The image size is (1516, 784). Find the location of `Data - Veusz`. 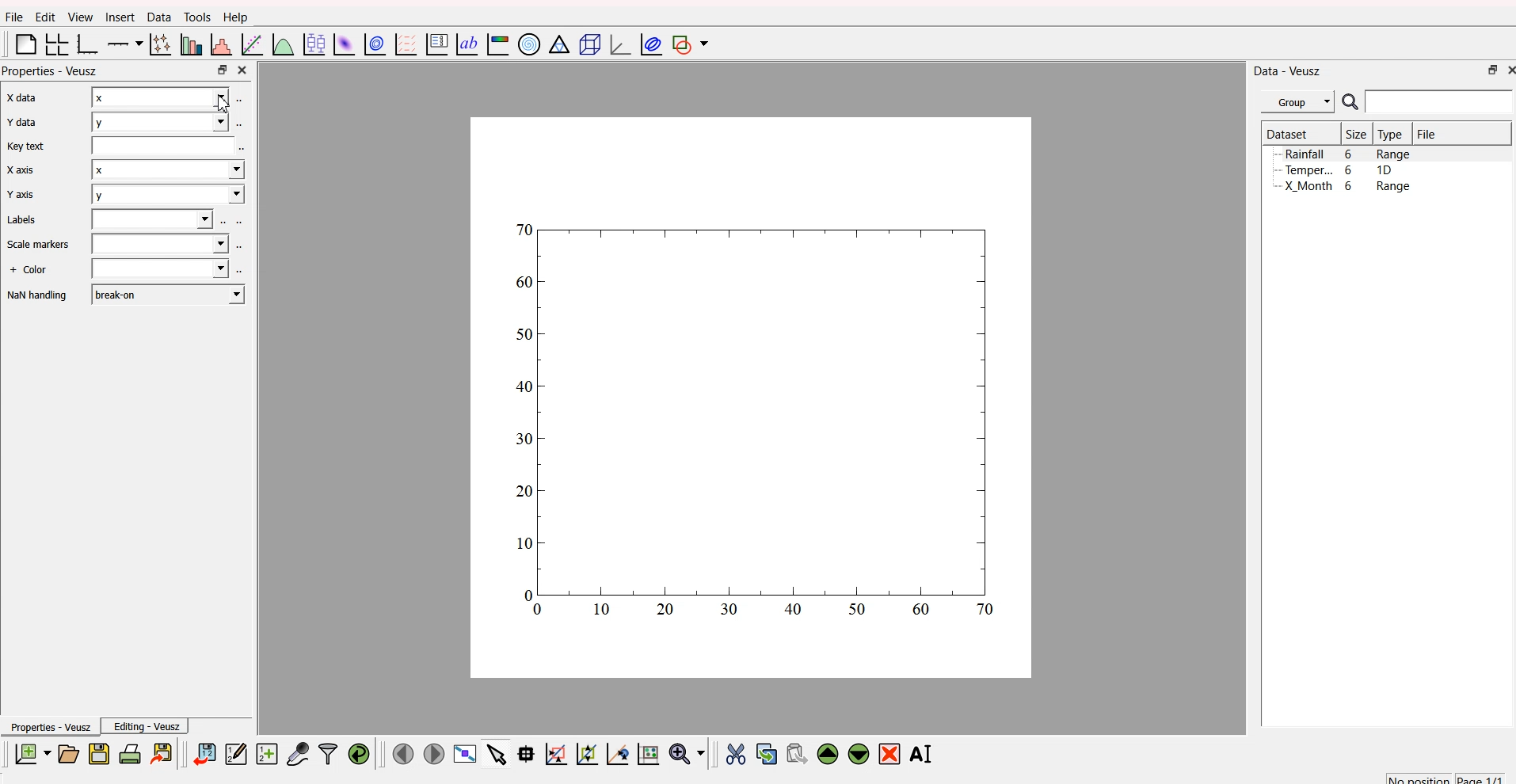

Data - Veusz is located at coordinates (1289, 70).